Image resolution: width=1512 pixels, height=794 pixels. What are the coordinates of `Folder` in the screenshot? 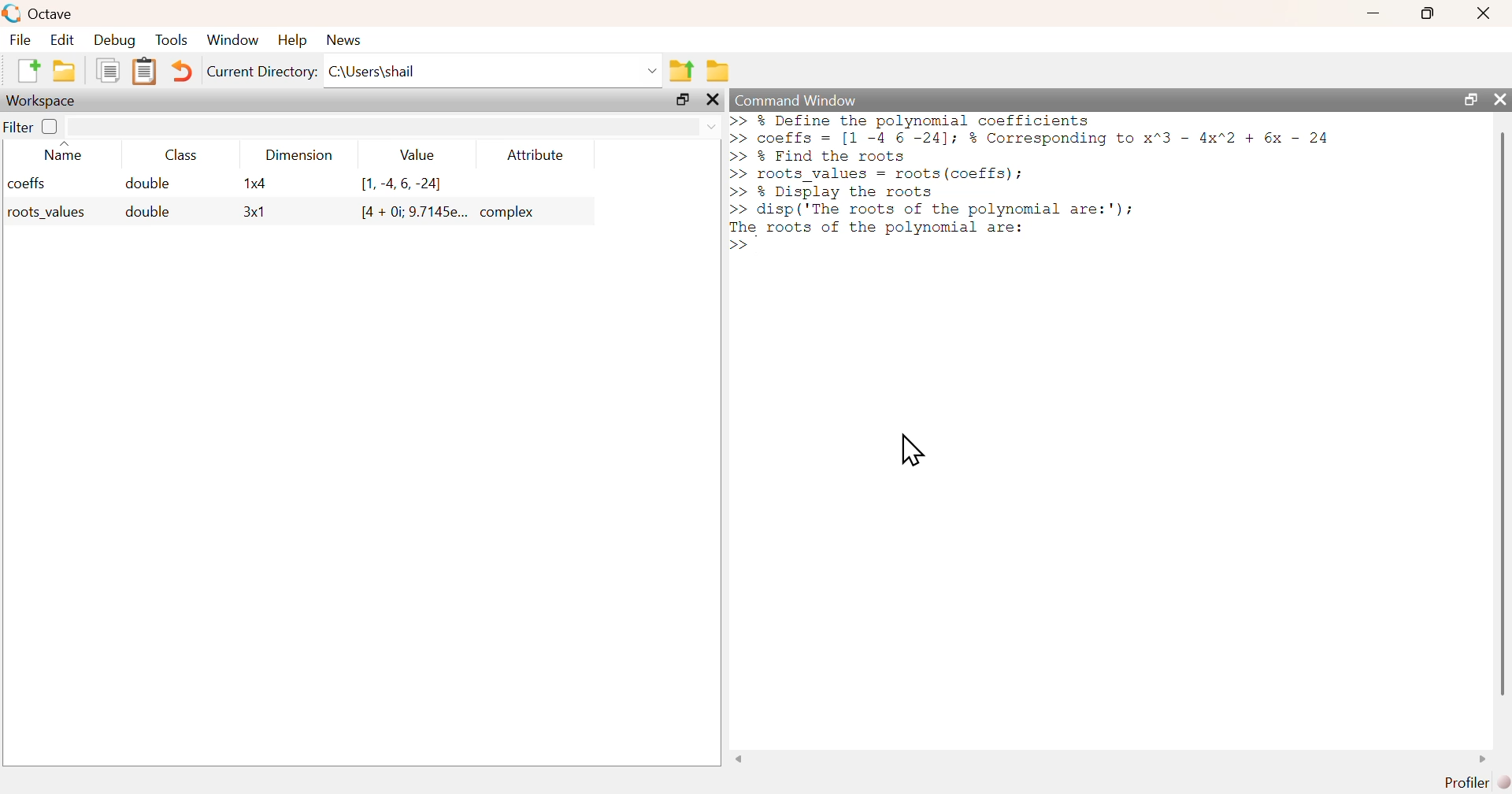 It's located at (717, 69).